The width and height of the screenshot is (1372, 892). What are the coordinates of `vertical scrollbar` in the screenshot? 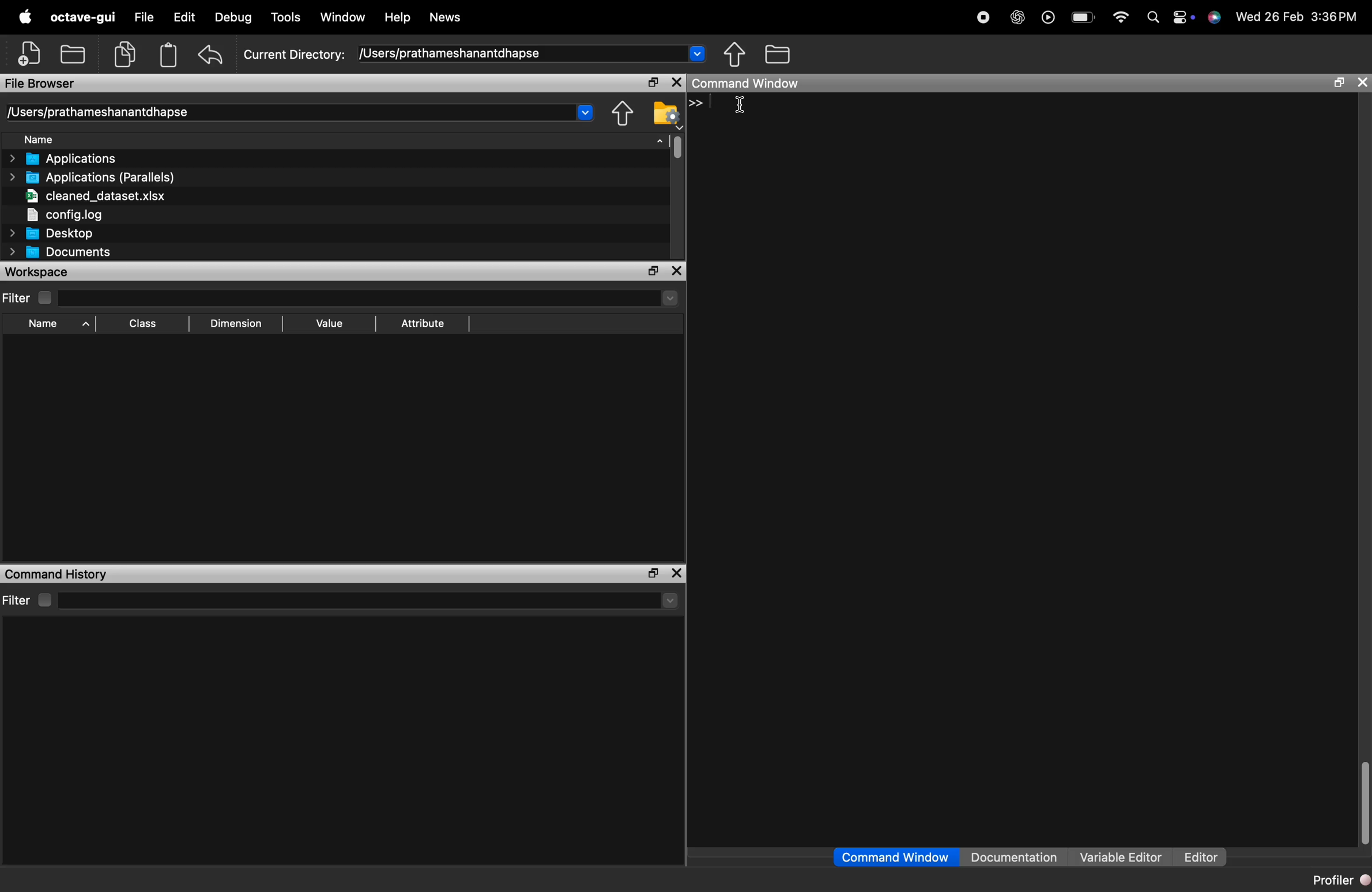 It's located at (1363, 803).